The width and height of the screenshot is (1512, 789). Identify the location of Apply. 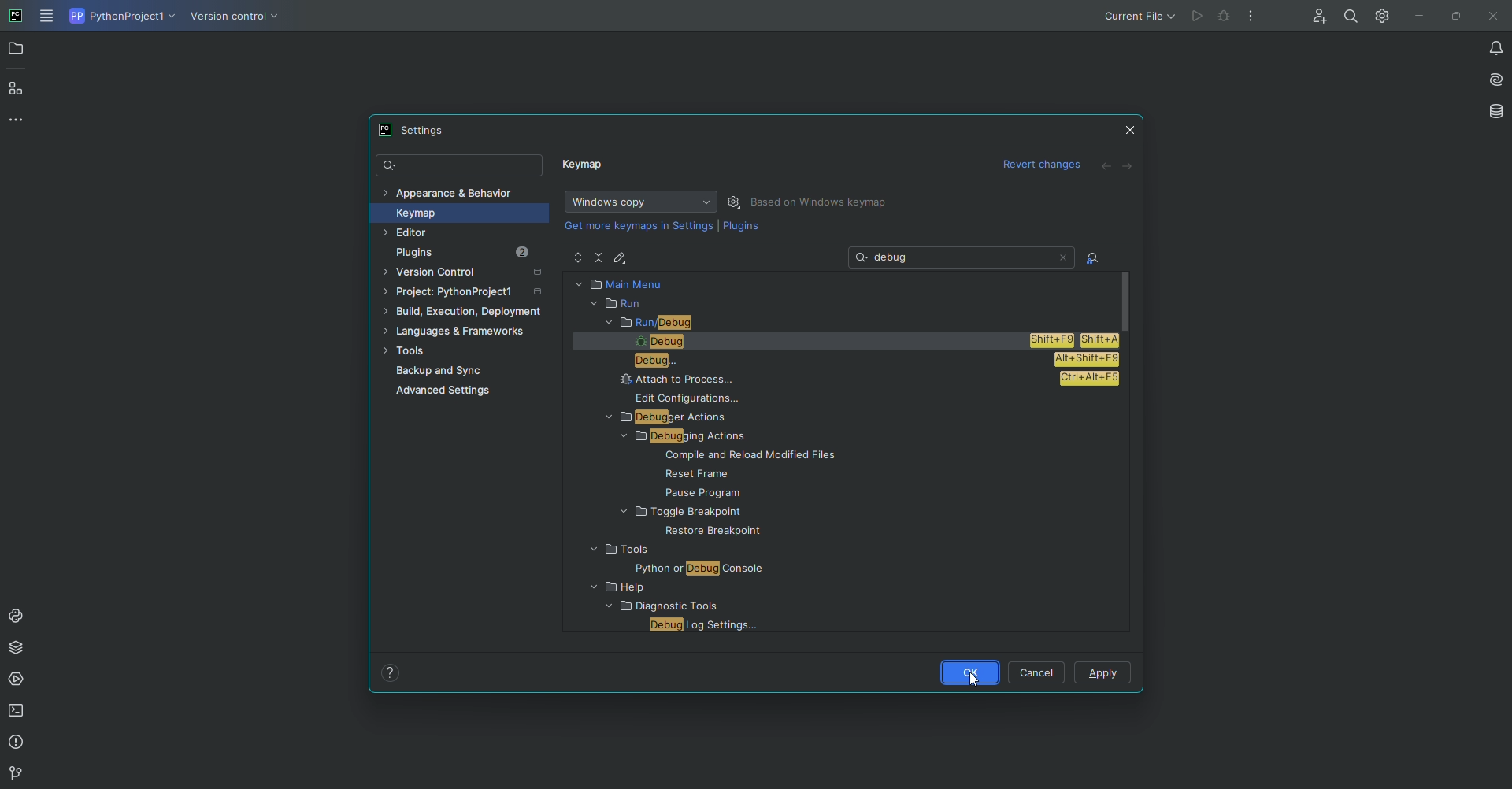
(1104, 674).